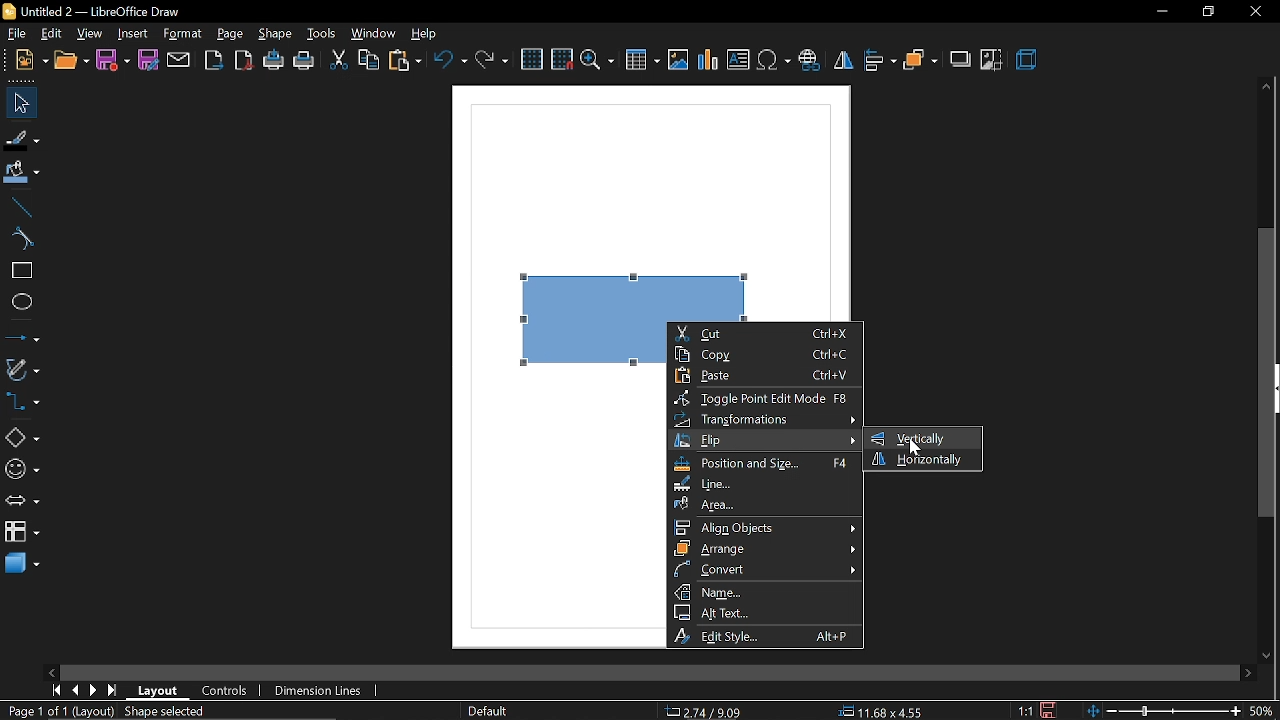 The image size is (1280, 720). What do you see at coordinates (1050, 709) in the screenshot?
I see `save` at bounding box center [1050, 709].